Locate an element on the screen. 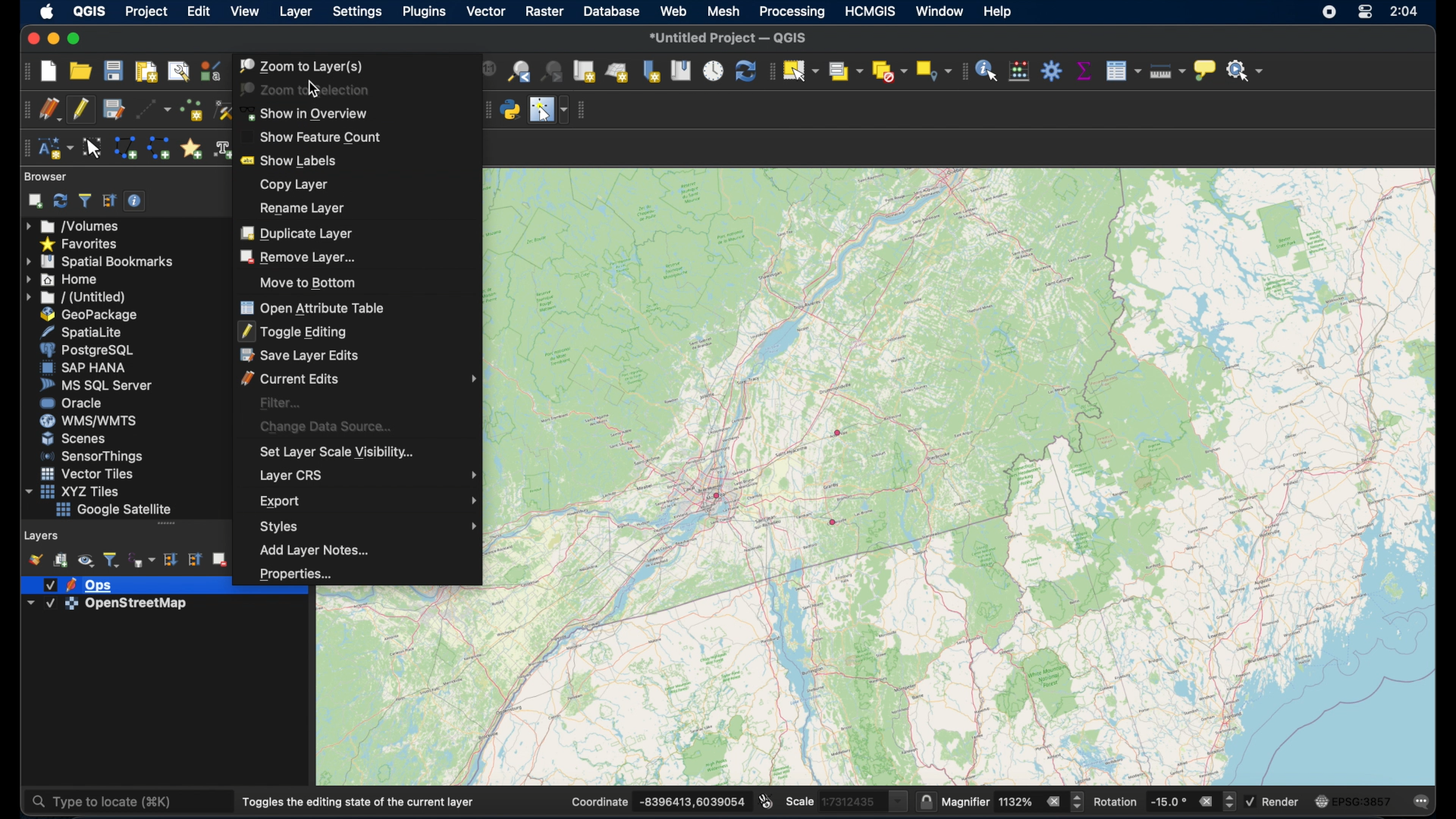  zoom last is located at coordinates (519, 71).